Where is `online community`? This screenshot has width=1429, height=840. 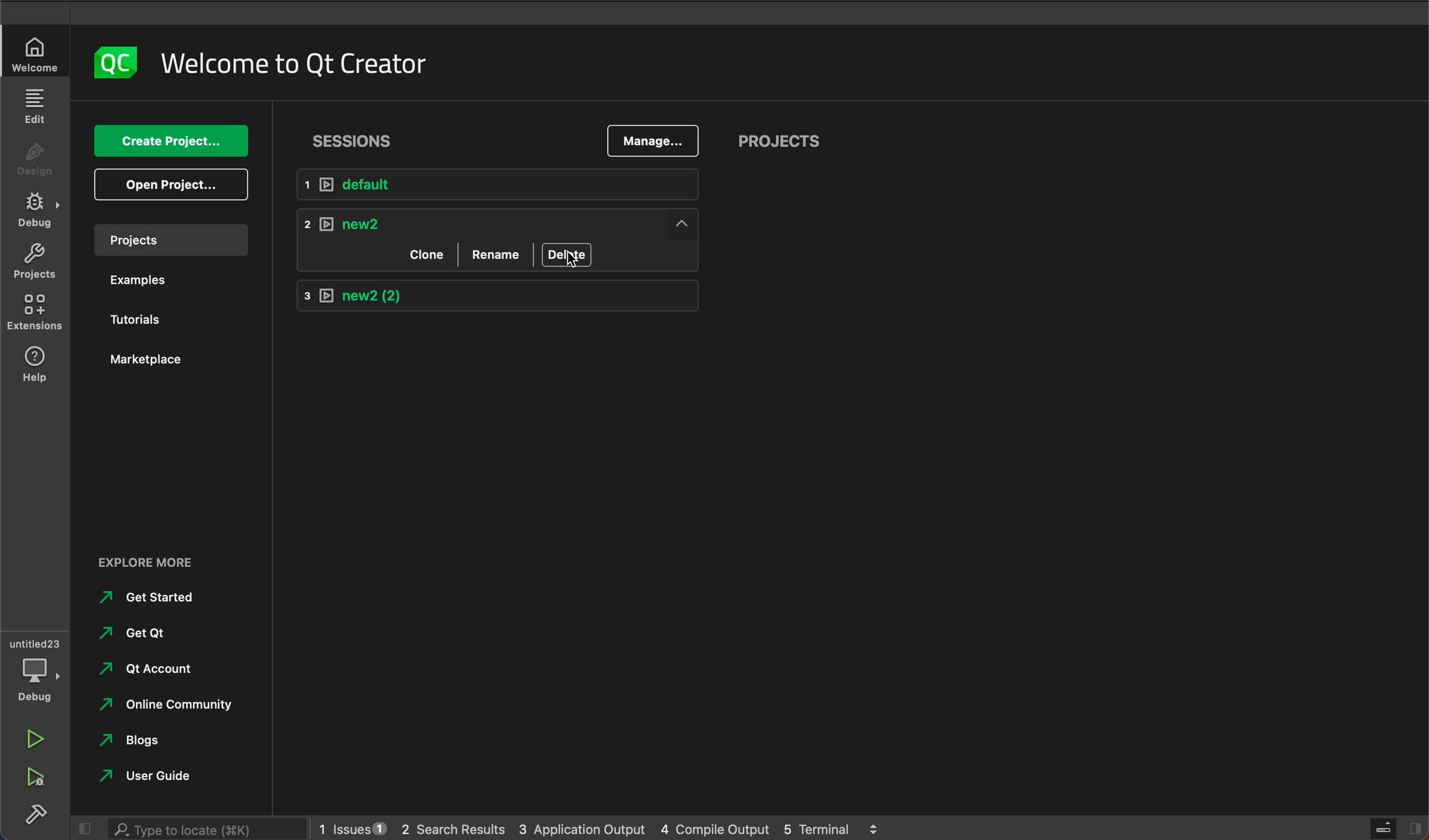 online community is located at coordinates (172, 703).